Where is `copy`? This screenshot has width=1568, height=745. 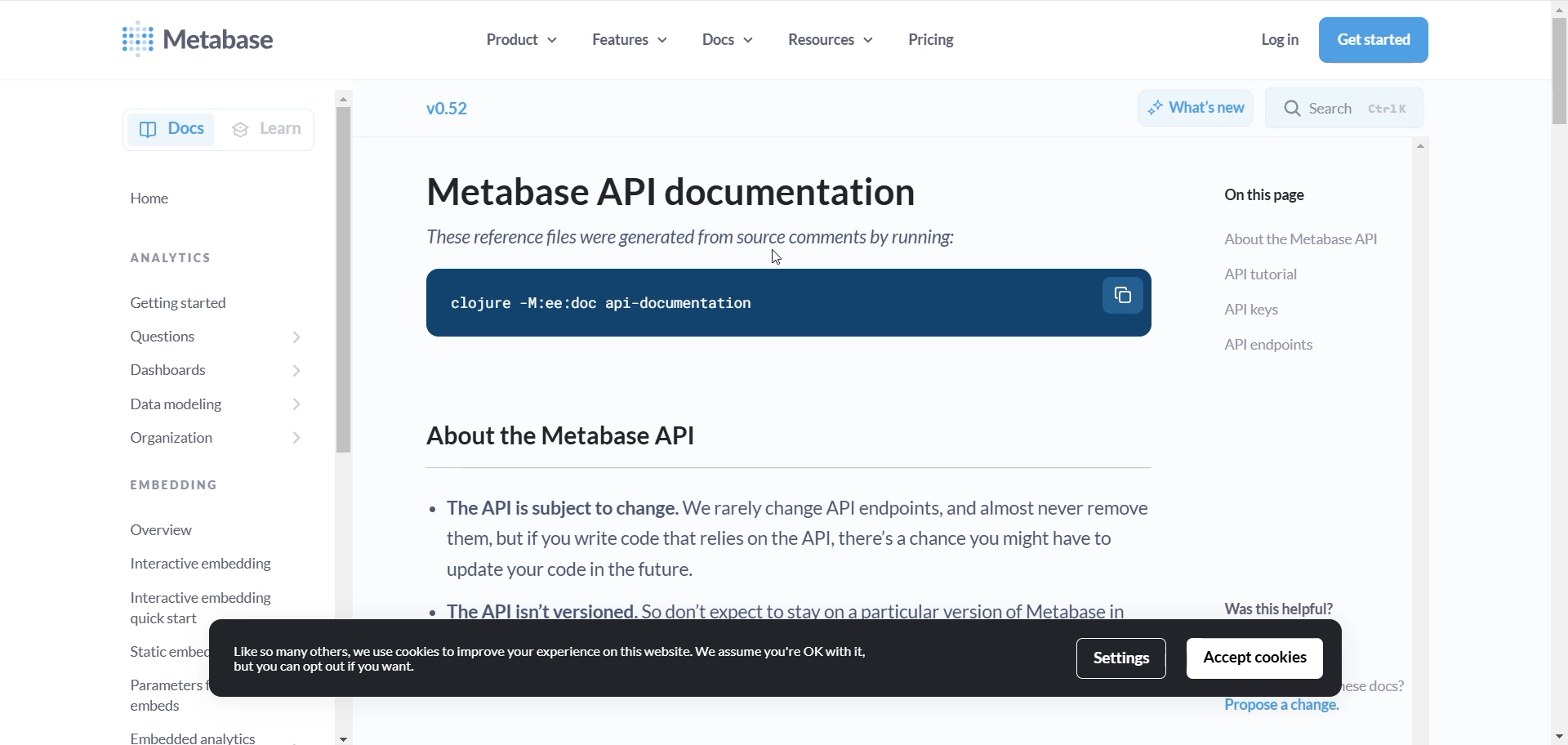 copy is located at coordinates (1125, 292).